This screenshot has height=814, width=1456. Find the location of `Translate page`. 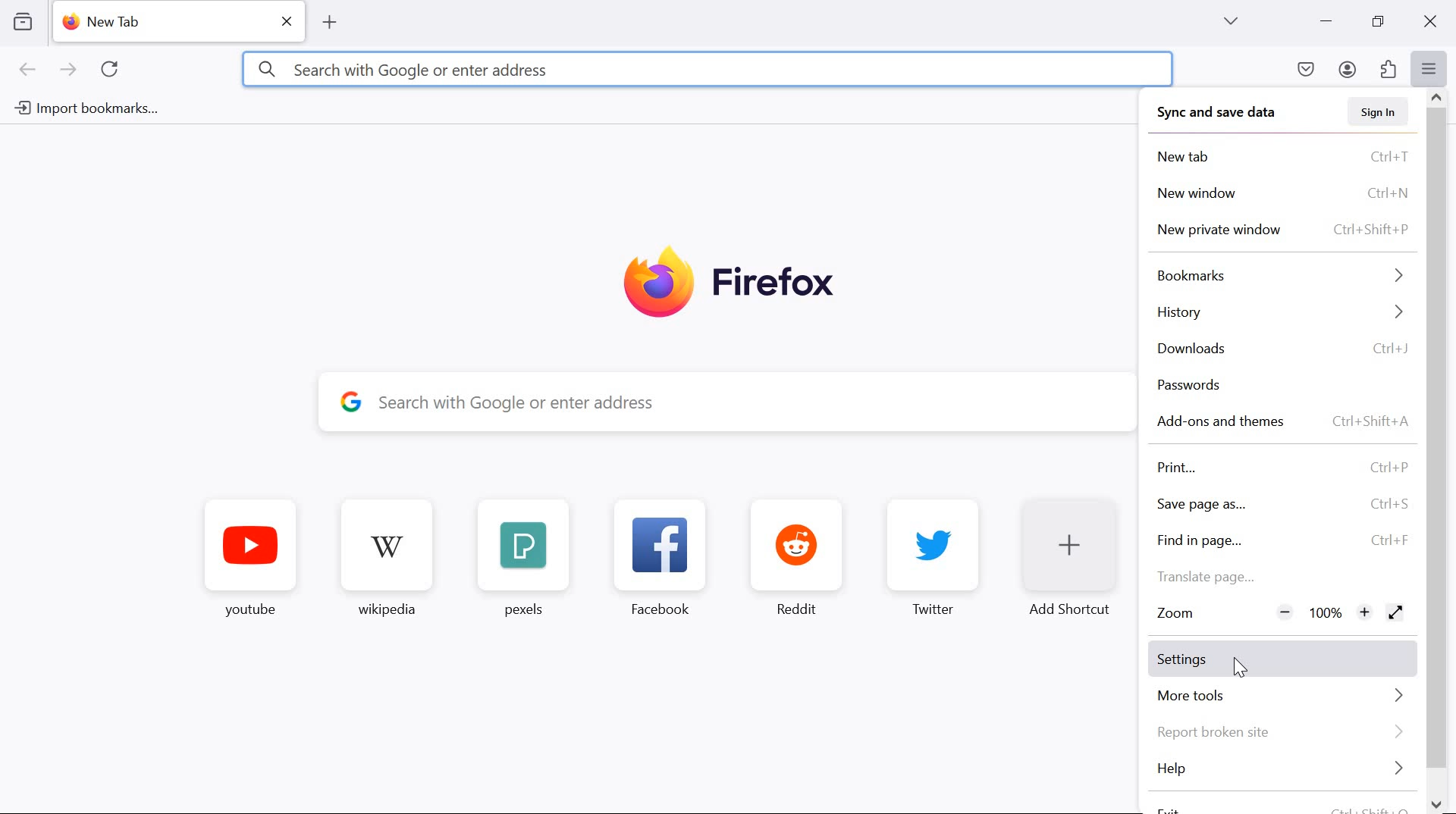

Translate page is located at coordinates (1279, 577).